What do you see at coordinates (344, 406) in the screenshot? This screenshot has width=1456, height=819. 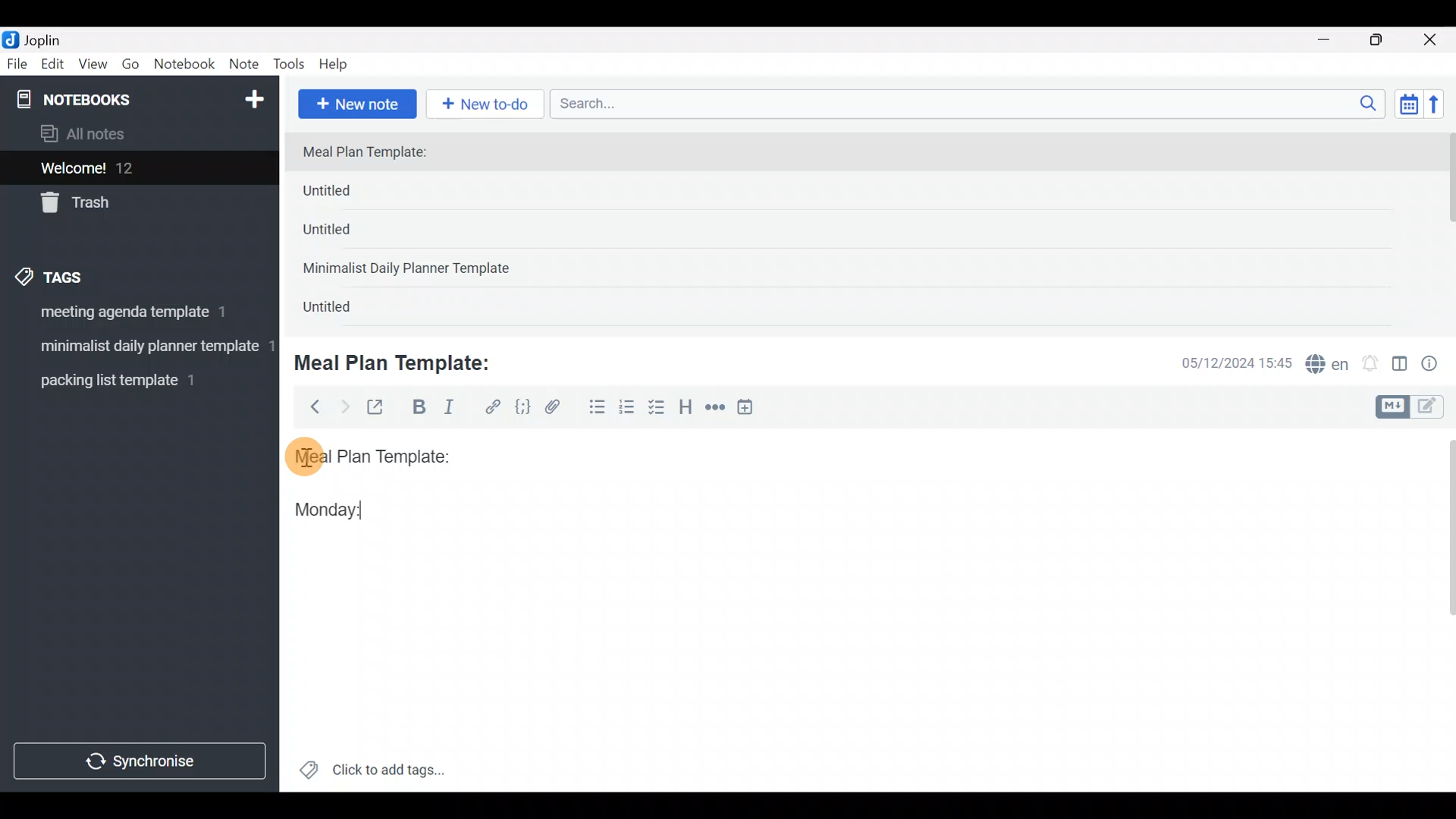 I see `Forward` at bounding box center [344, 406].